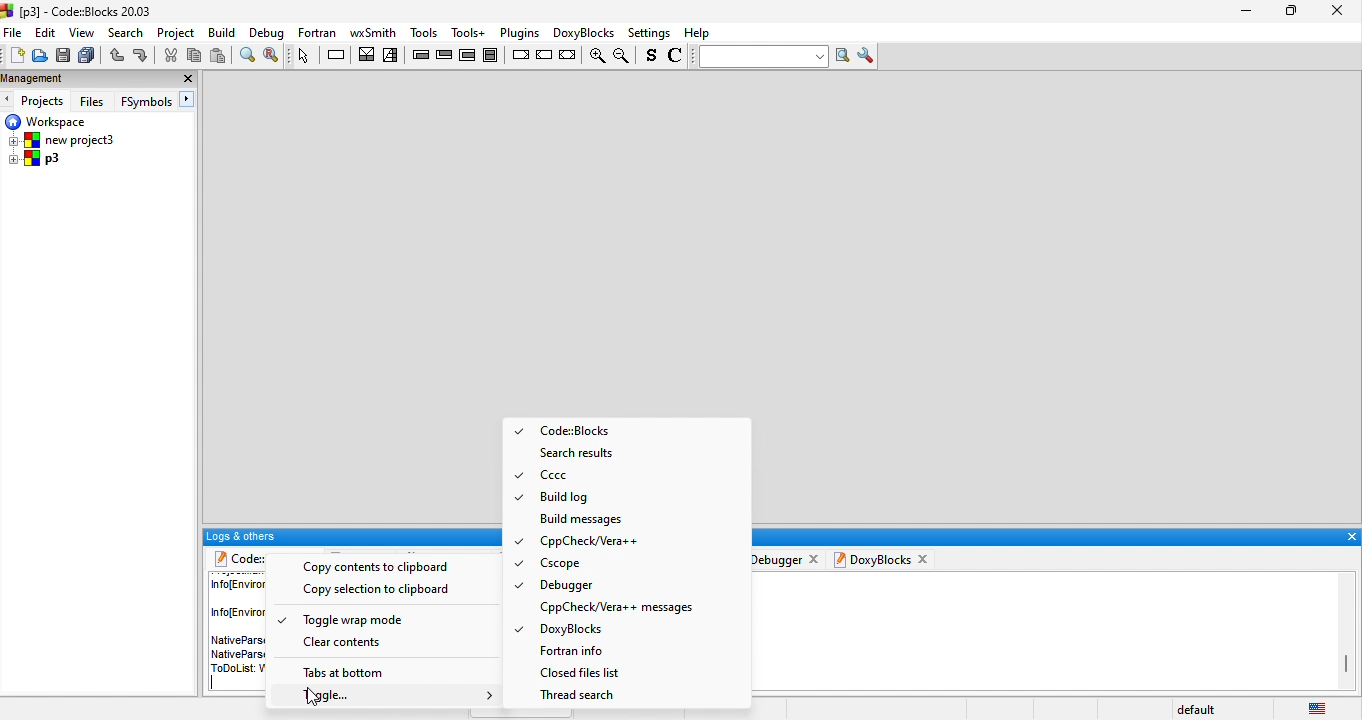  What do you see at coordinates (624, 56) in the screenshot?
I see `zoom out` at bounding box center [624, 56].